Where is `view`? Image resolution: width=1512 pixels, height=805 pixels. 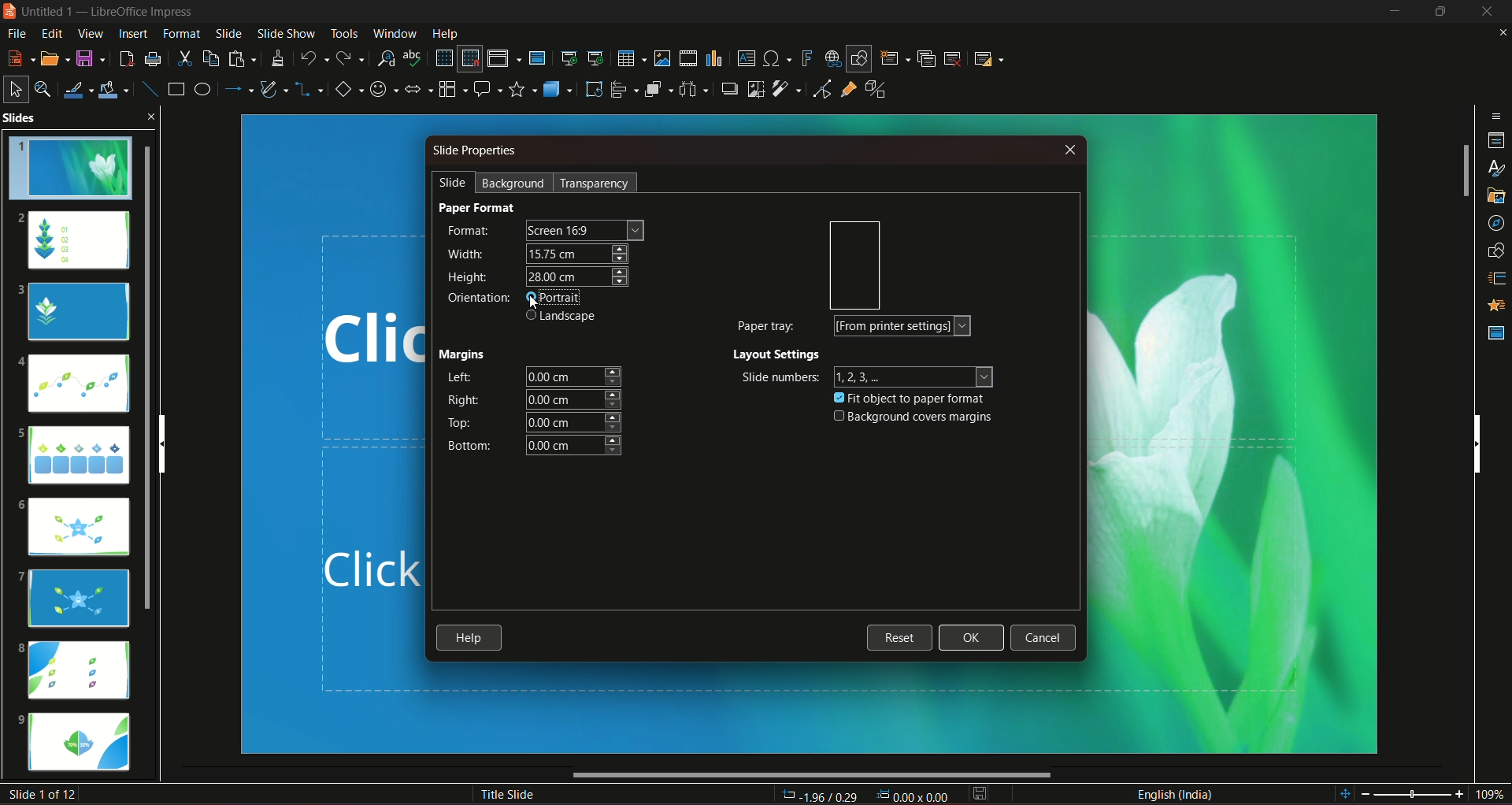 view is located at coordinates (88, 34).